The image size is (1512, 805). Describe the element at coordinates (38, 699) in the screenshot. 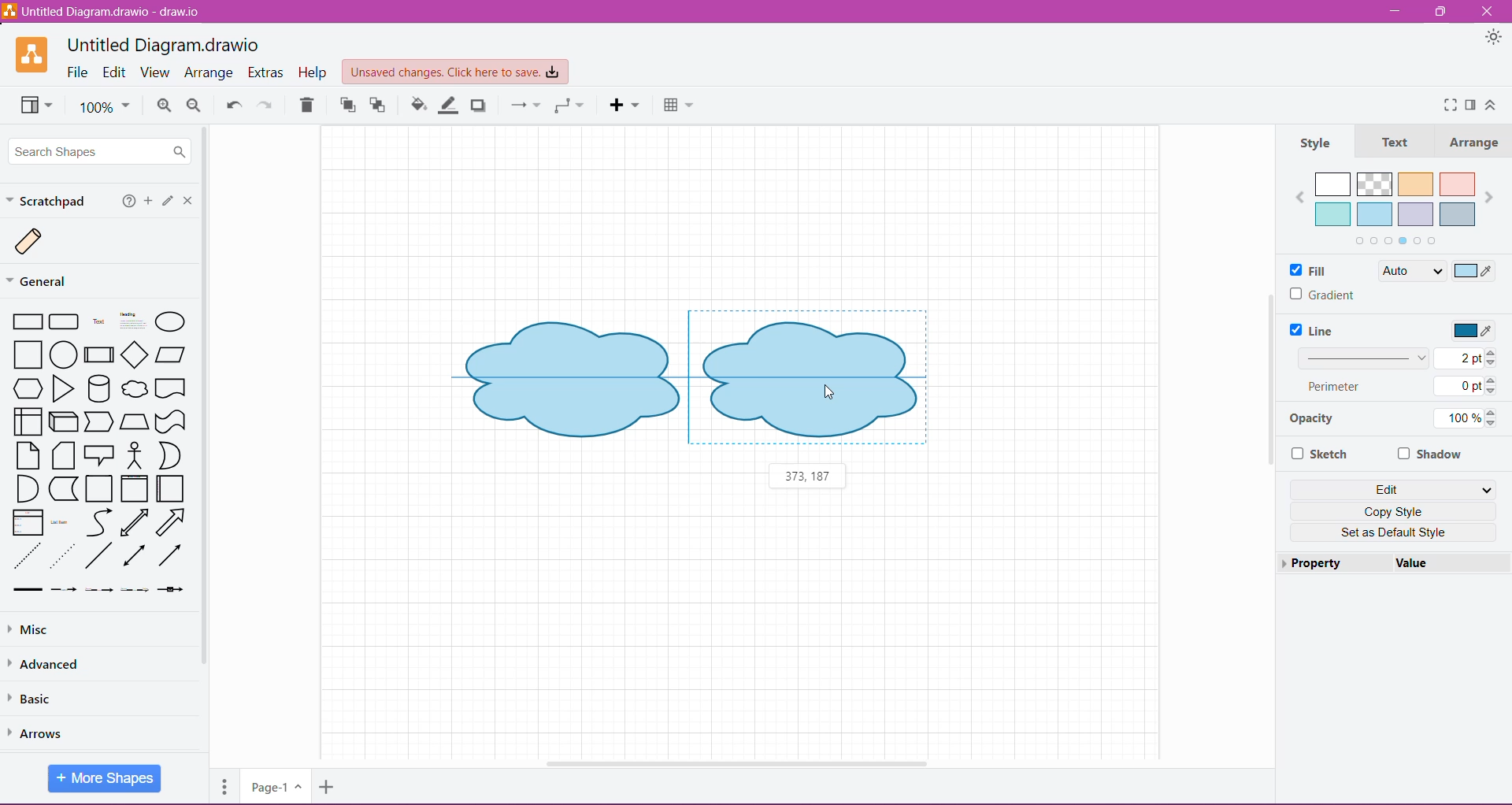

I see `Basic` at that location.